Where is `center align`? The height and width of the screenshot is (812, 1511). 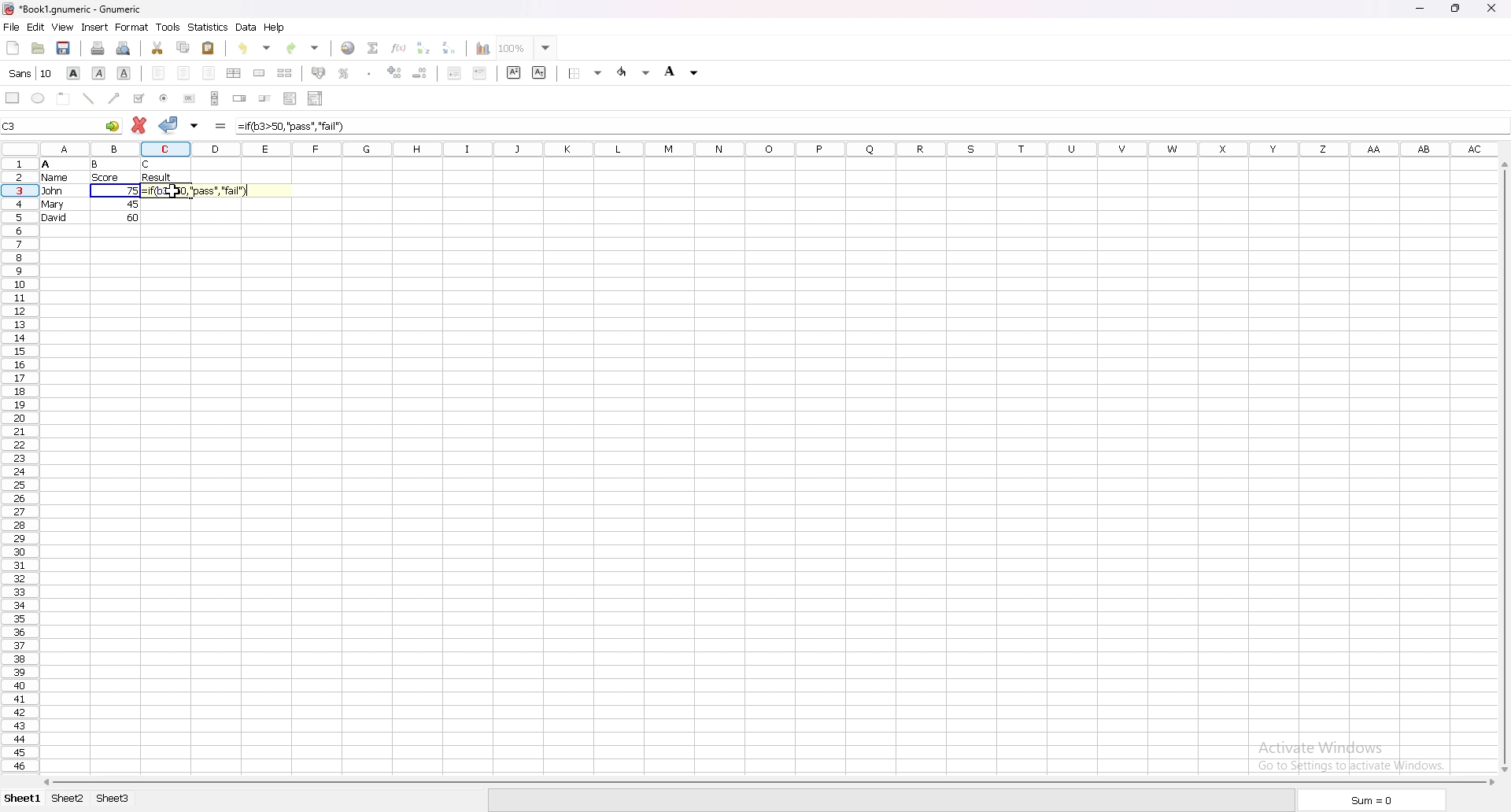
center align is located at coordinates (183, 72).